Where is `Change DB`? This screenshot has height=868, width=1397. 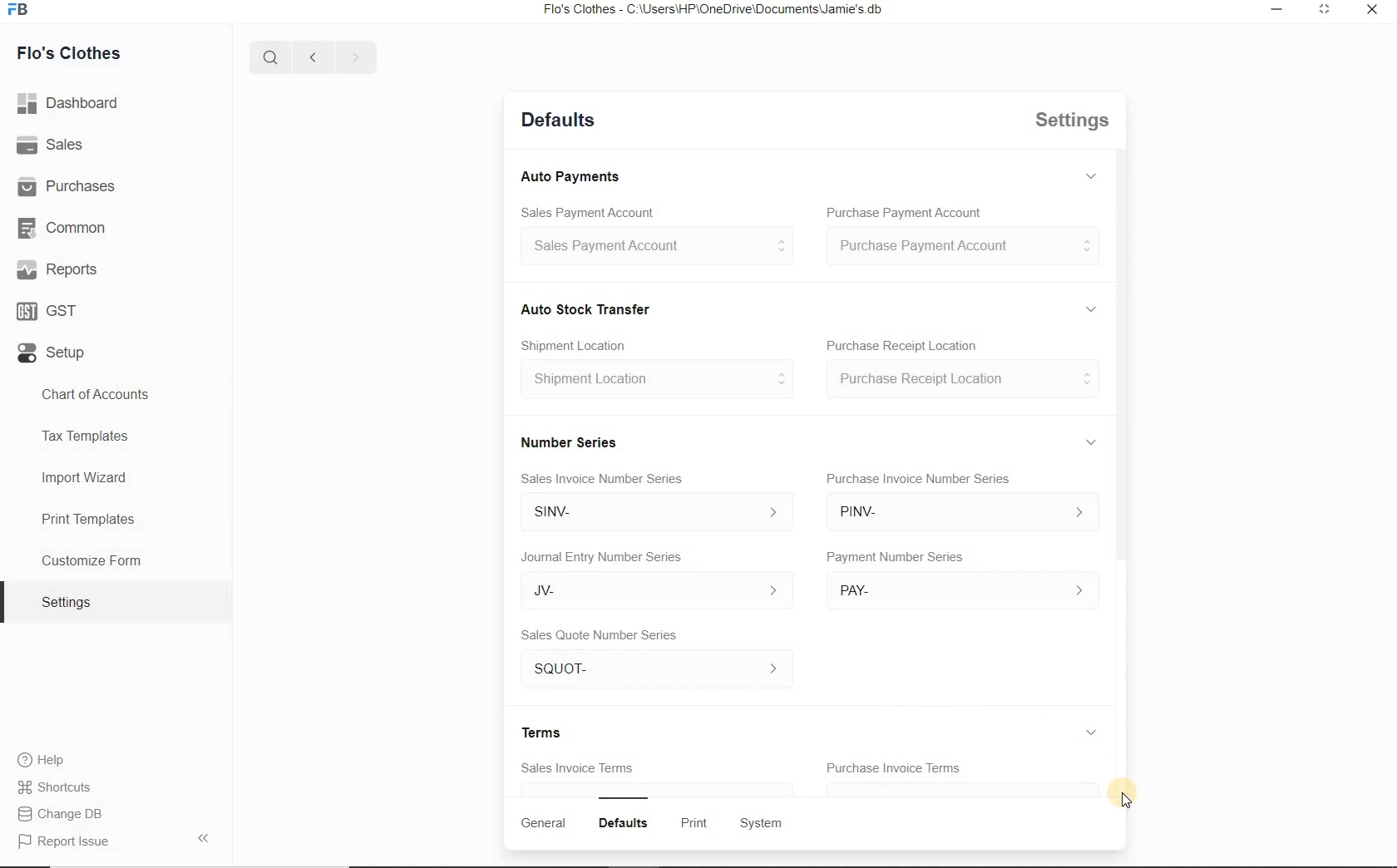
Change DB is located at coordinates (59, 814).